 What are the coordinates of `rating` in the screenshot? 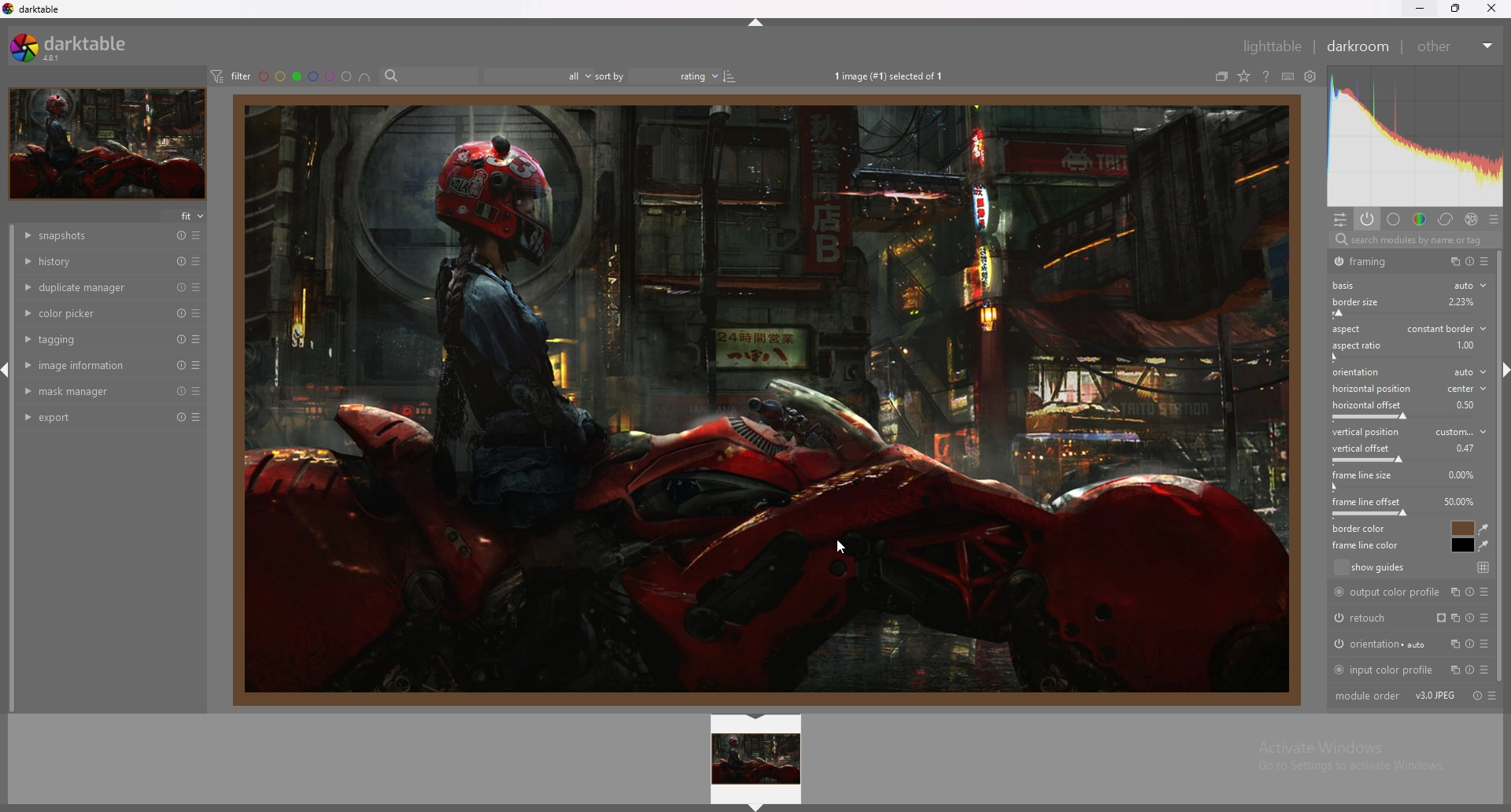 It's located at (684, 76).